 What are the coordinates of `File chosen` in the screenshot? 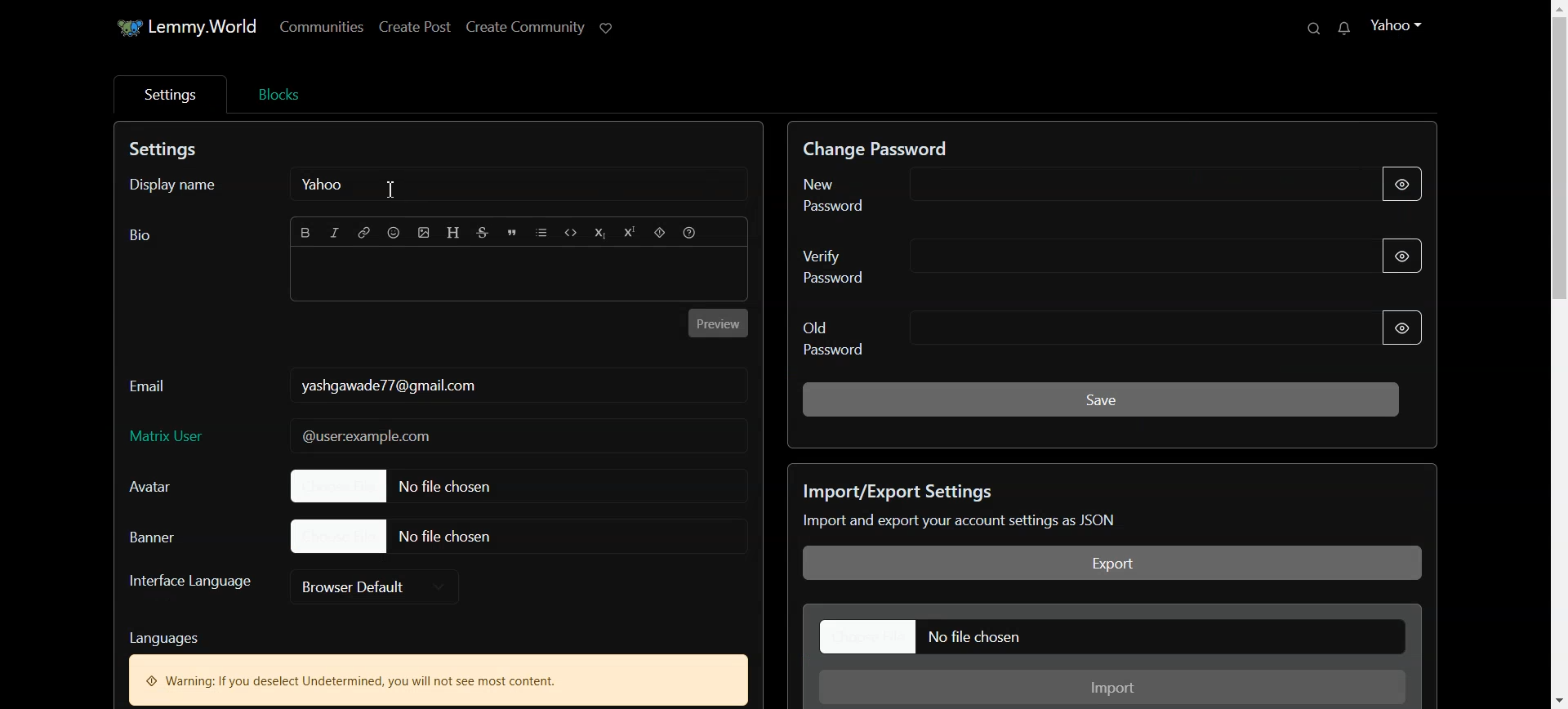 It's located at (421, 485).